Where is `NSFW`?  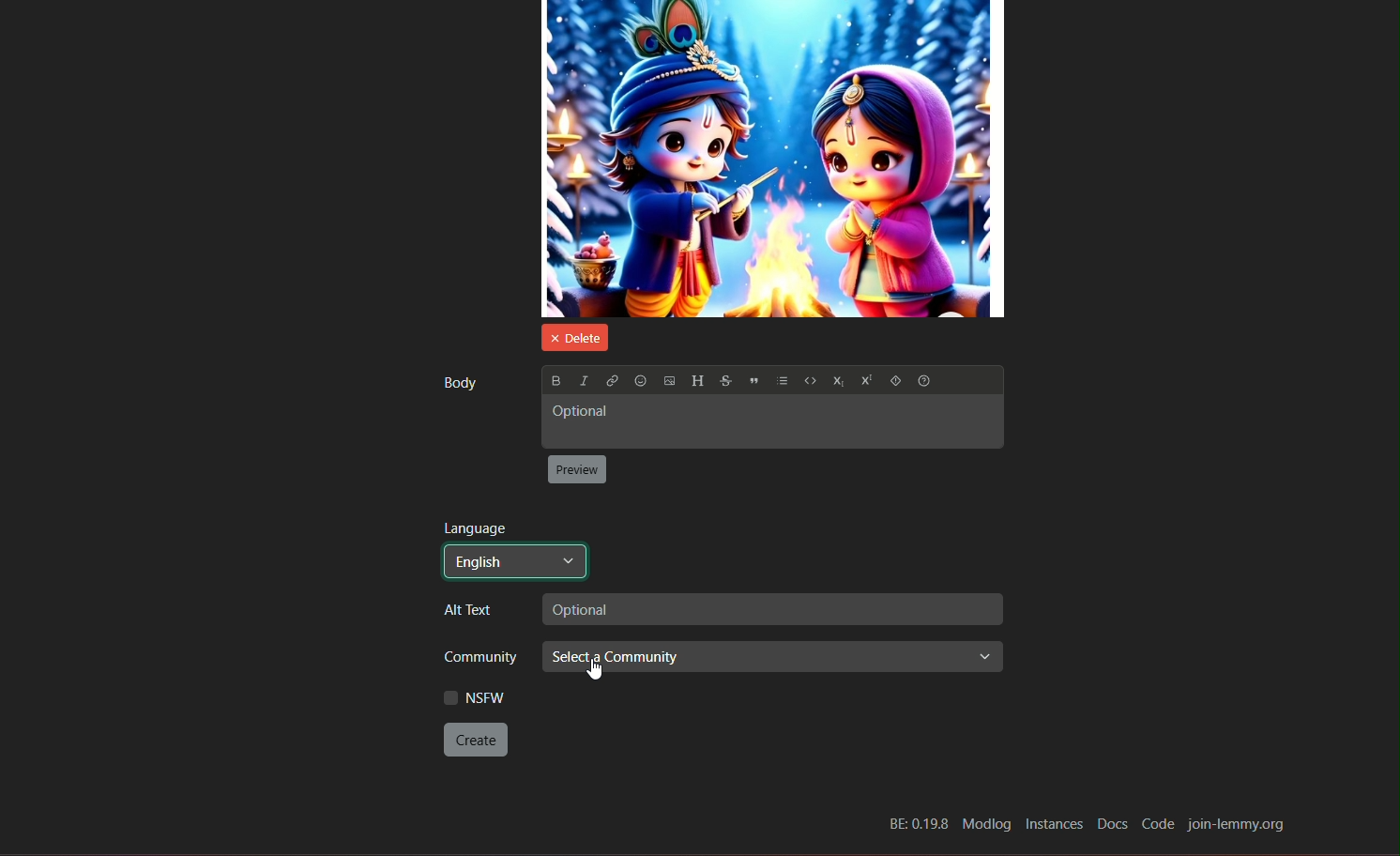
NSFW is located at coordinates (474, 697).